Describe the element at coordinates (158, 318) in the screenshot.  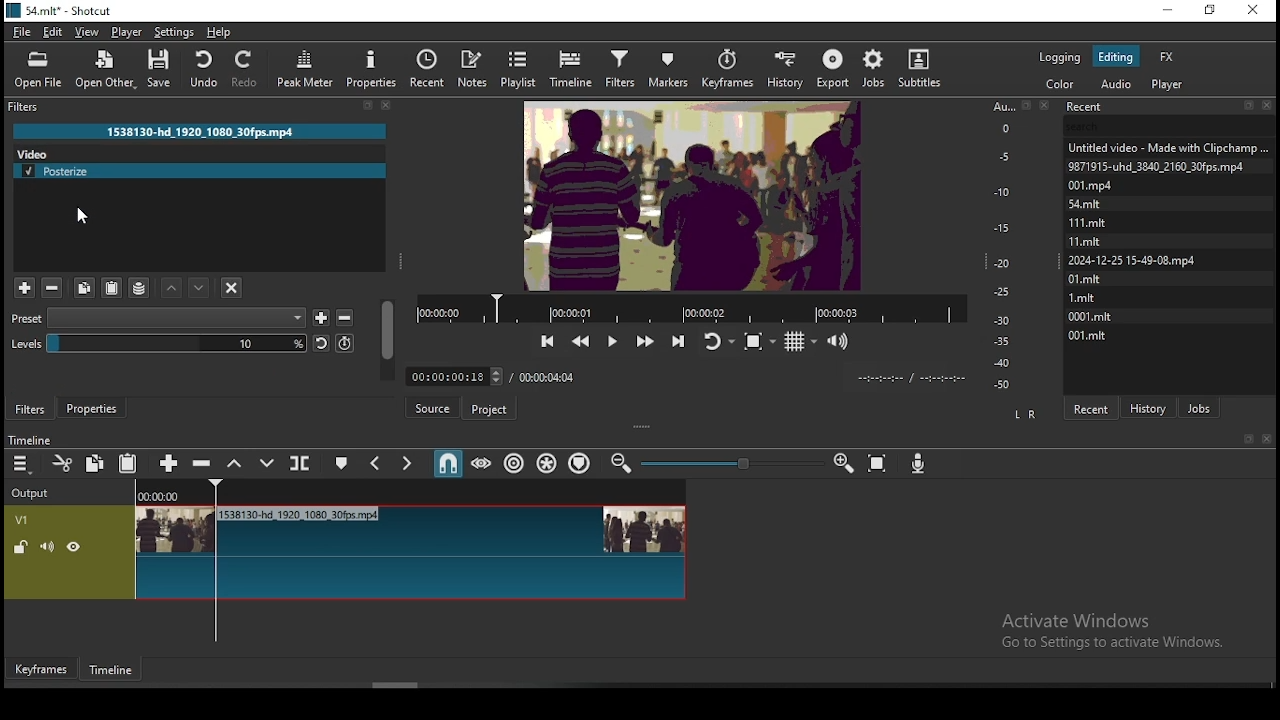
I see `preset` at that location.